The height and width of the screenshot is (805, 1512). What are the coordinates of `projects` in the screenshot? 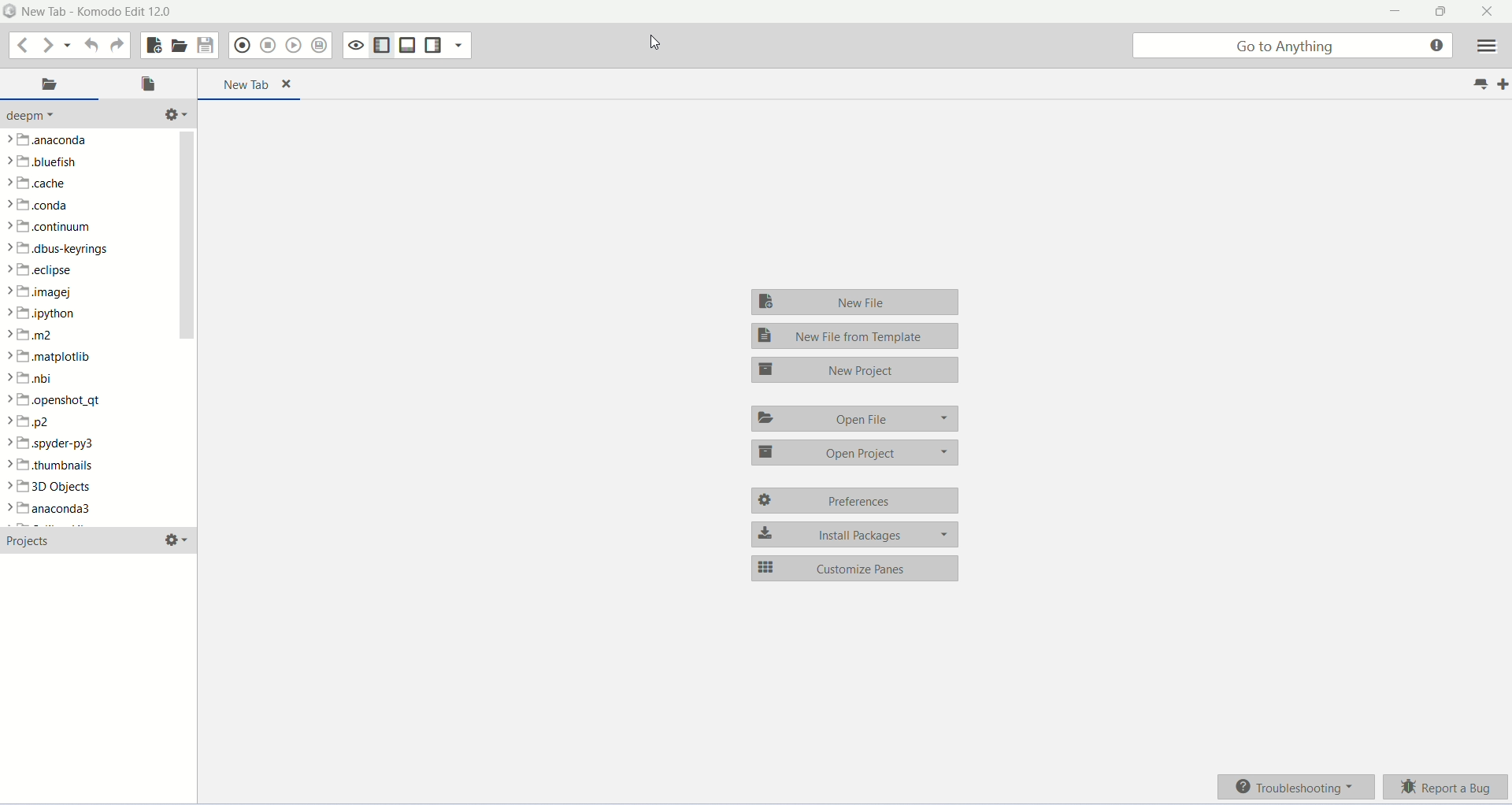 It's located at (35, 541).